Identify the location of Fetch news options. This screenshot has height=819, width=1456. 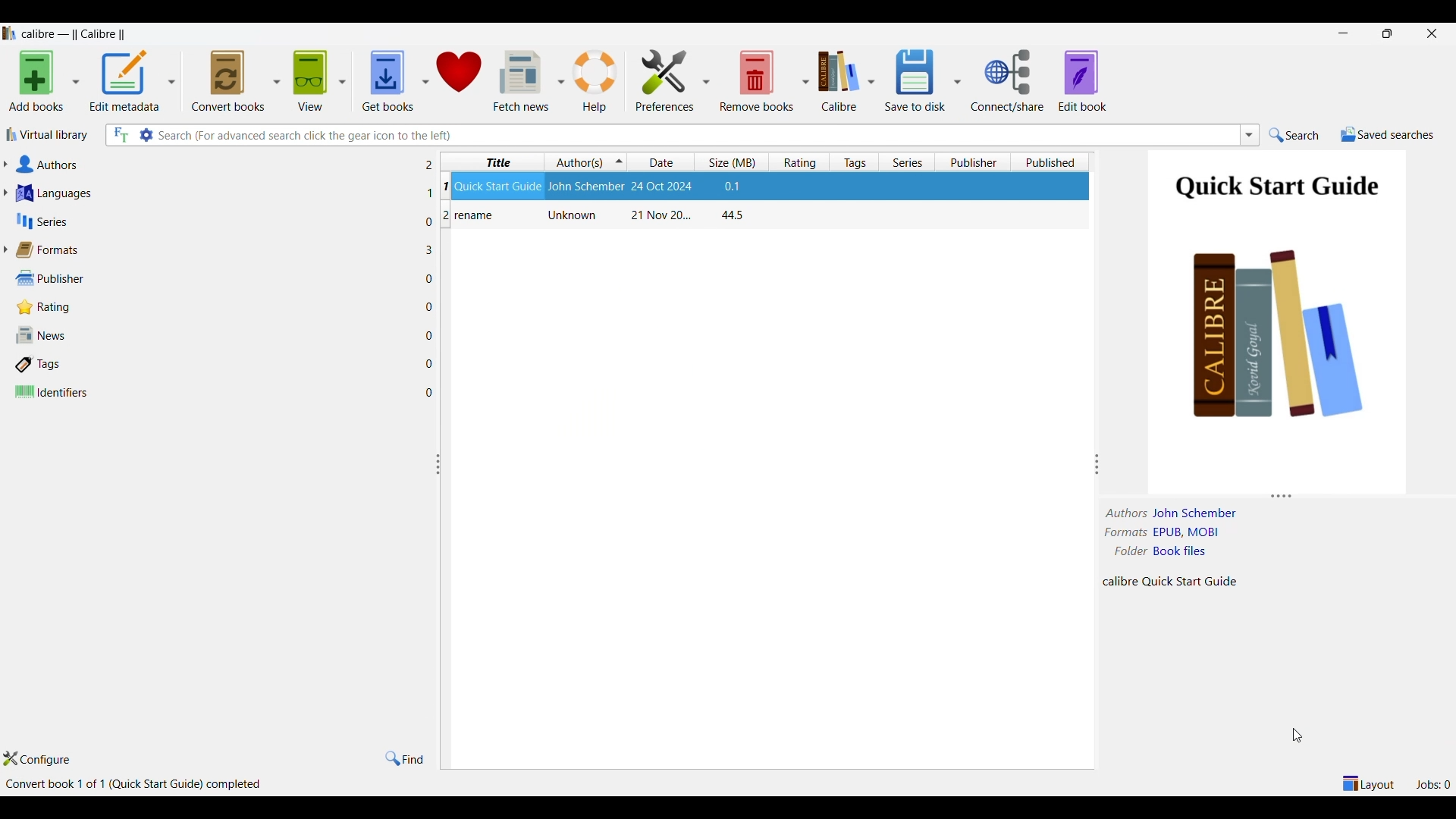
(561, 80).